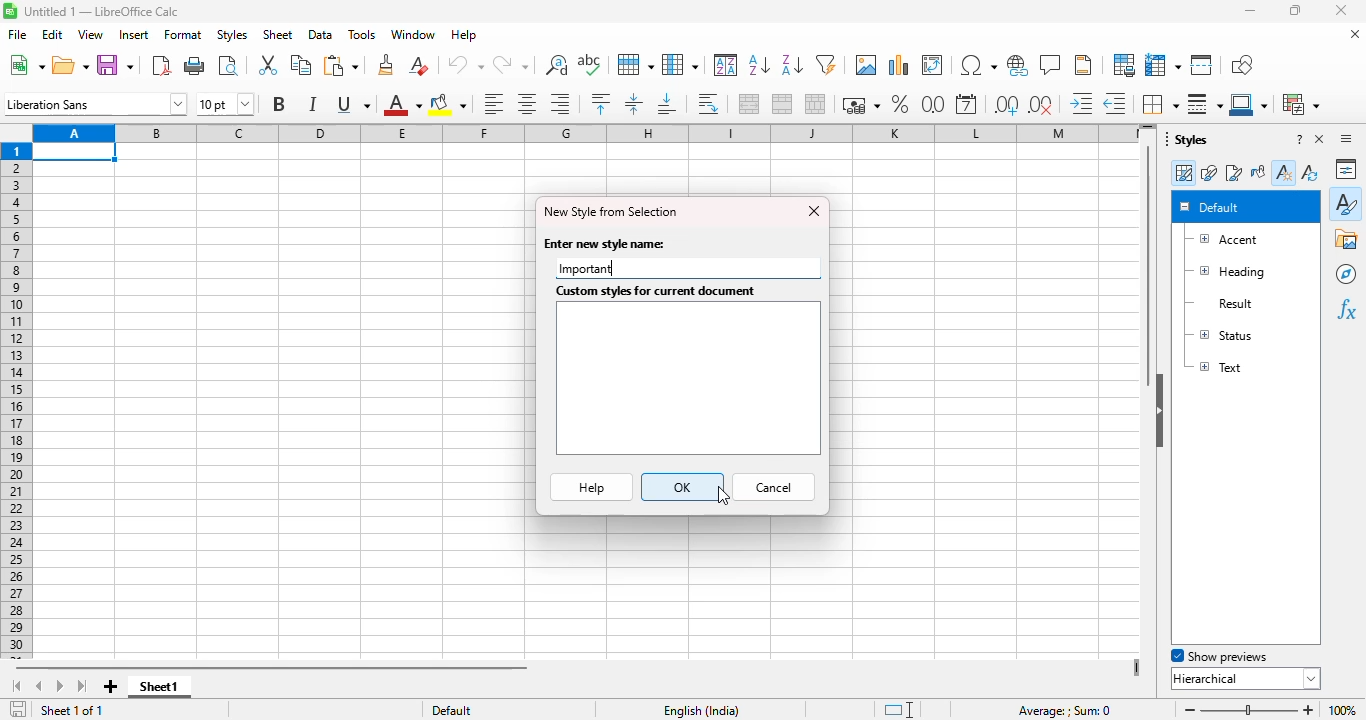 This screenshot has width=1366, height=720. I want to click on split window, so click(1202, 65).